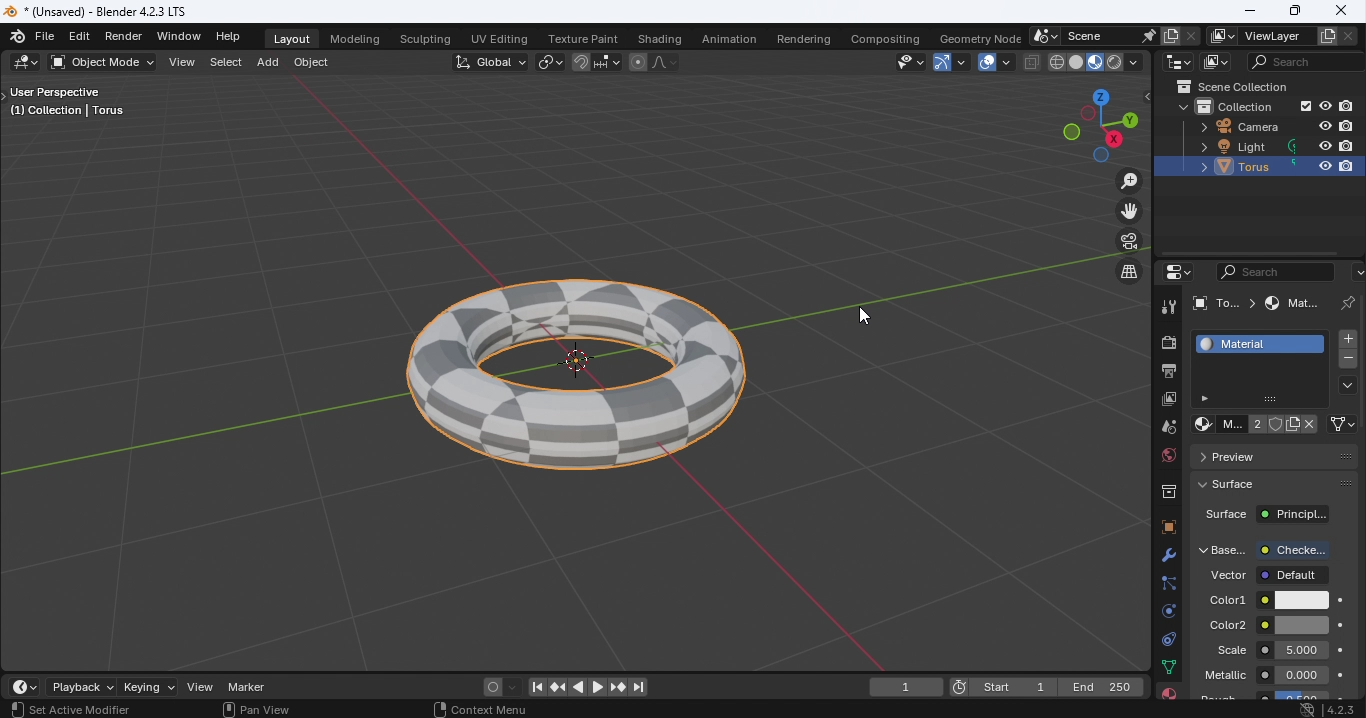 The height and width of the screenshot is (718, 1366). Describe the element at coordinates (1168, 609) in the screenshot. I see `Physics` at that location.